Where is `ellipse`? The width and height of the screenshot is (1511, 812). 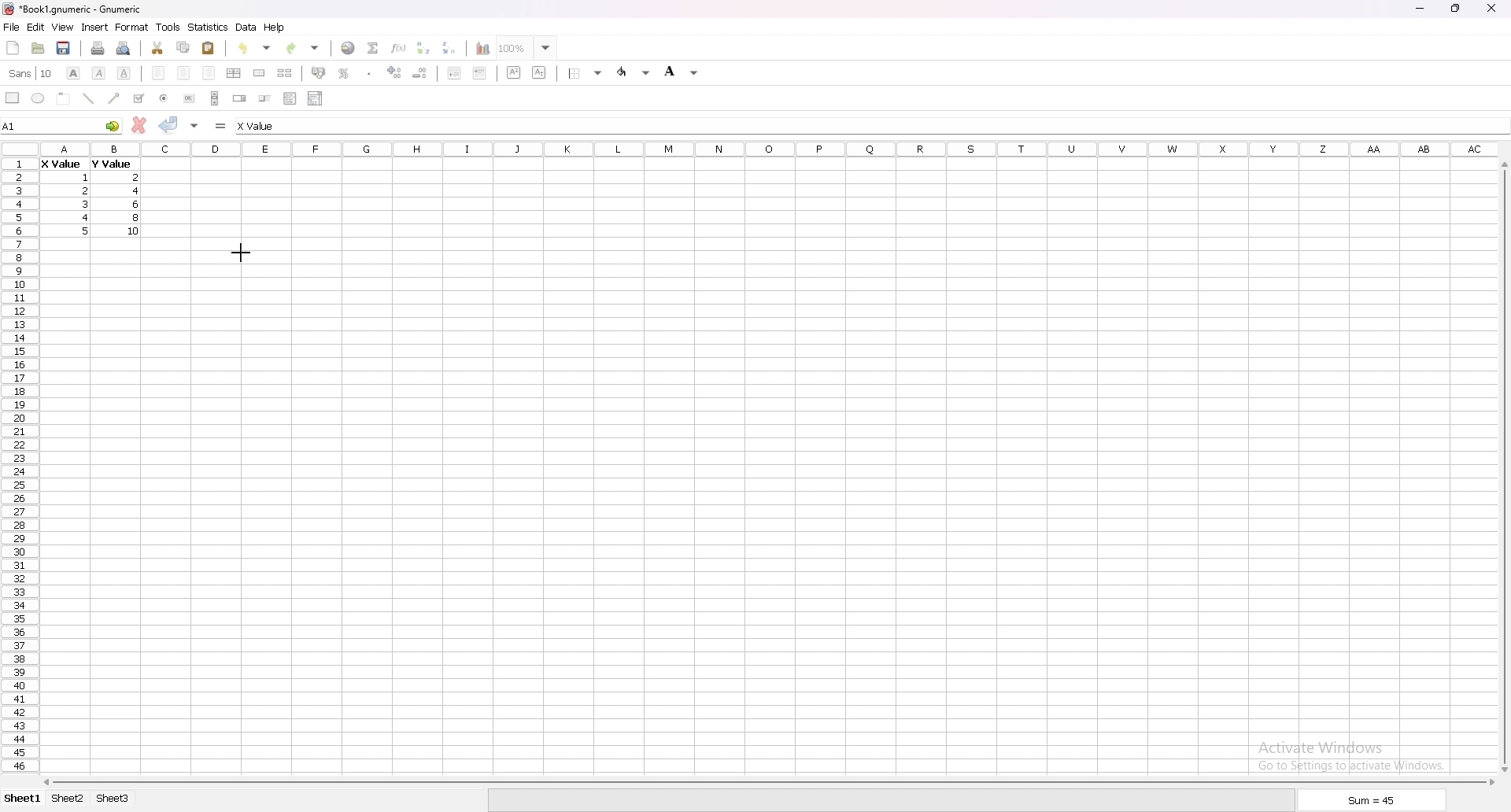
ellipse is located at coordinates (38, 98).